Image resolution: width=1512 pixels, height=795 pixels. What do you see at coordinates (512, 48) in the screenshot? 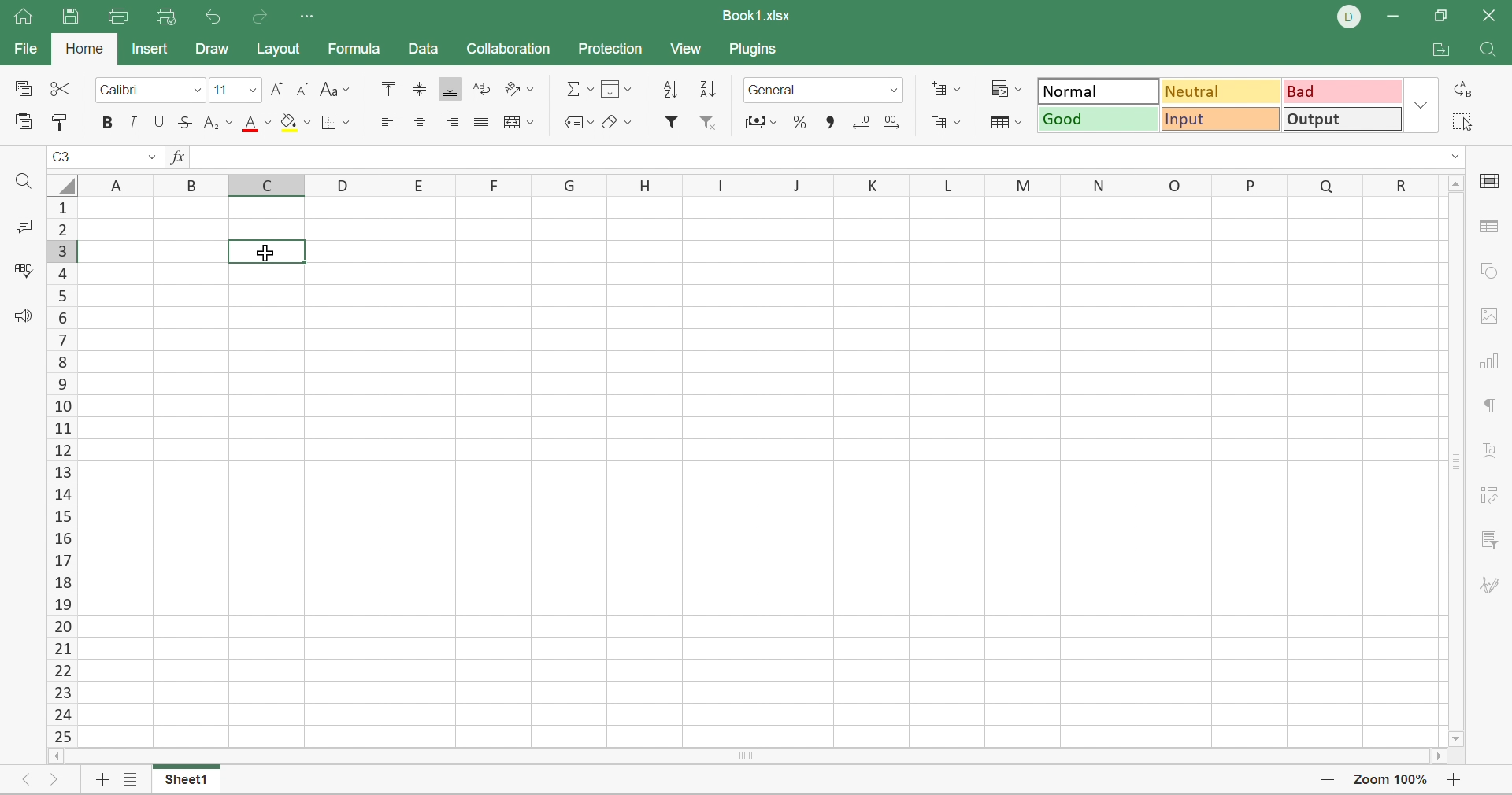
I see `Collaboration` at bounding box center [512, 48].